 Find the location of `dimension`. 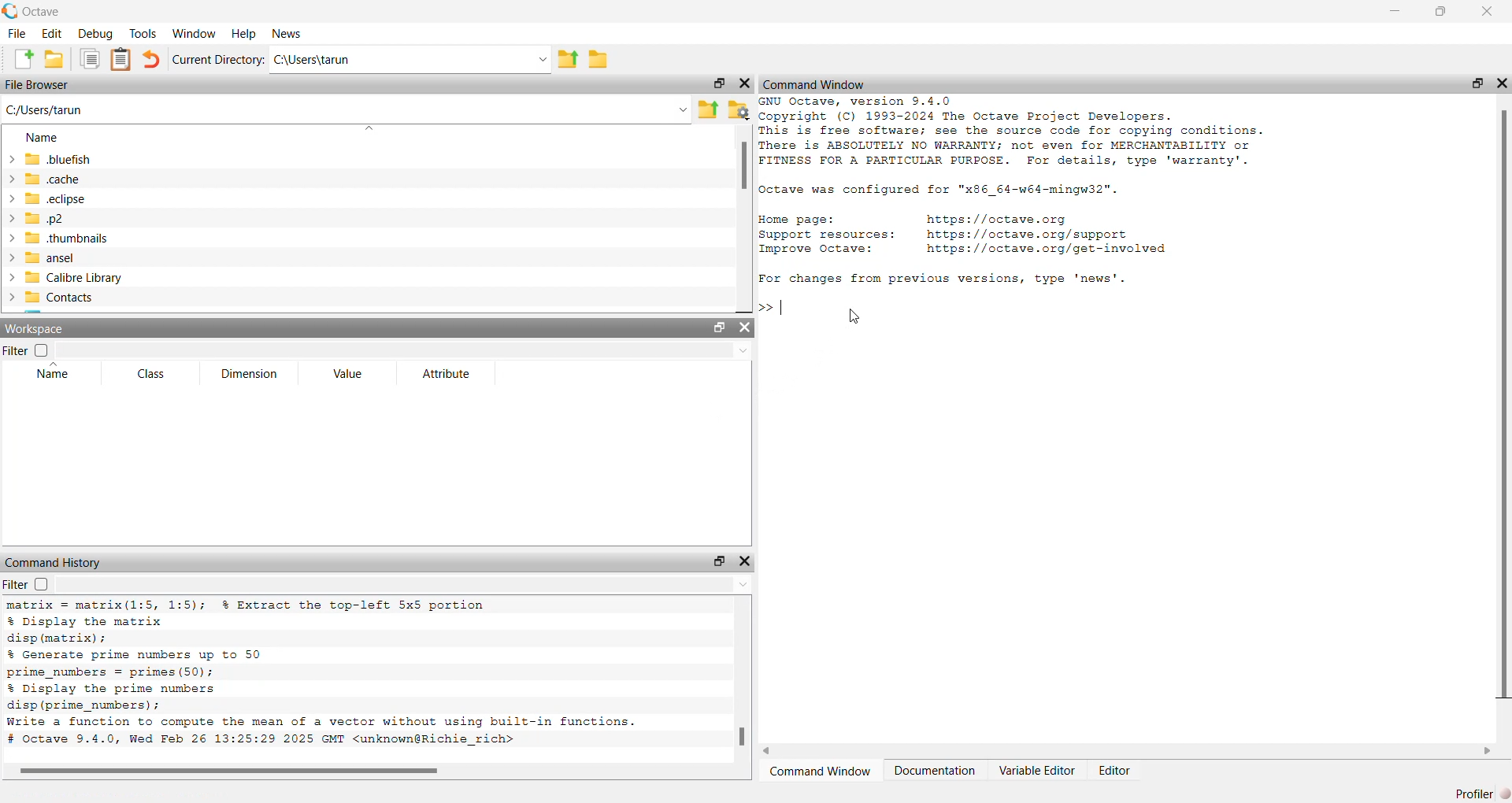

dimension is located at coordinates (249, 373).